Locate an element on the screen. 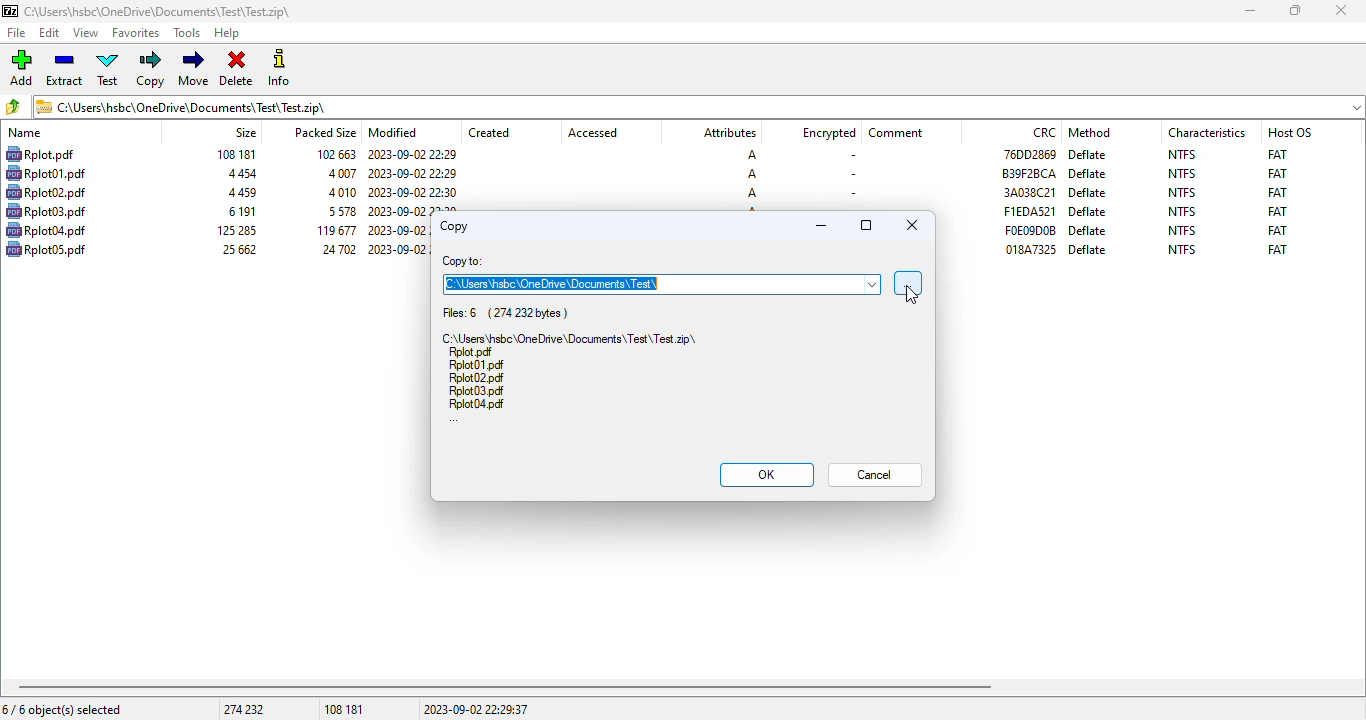 This screenshot has height=720, width=1366. packed size is located at coordinates (335, 249).